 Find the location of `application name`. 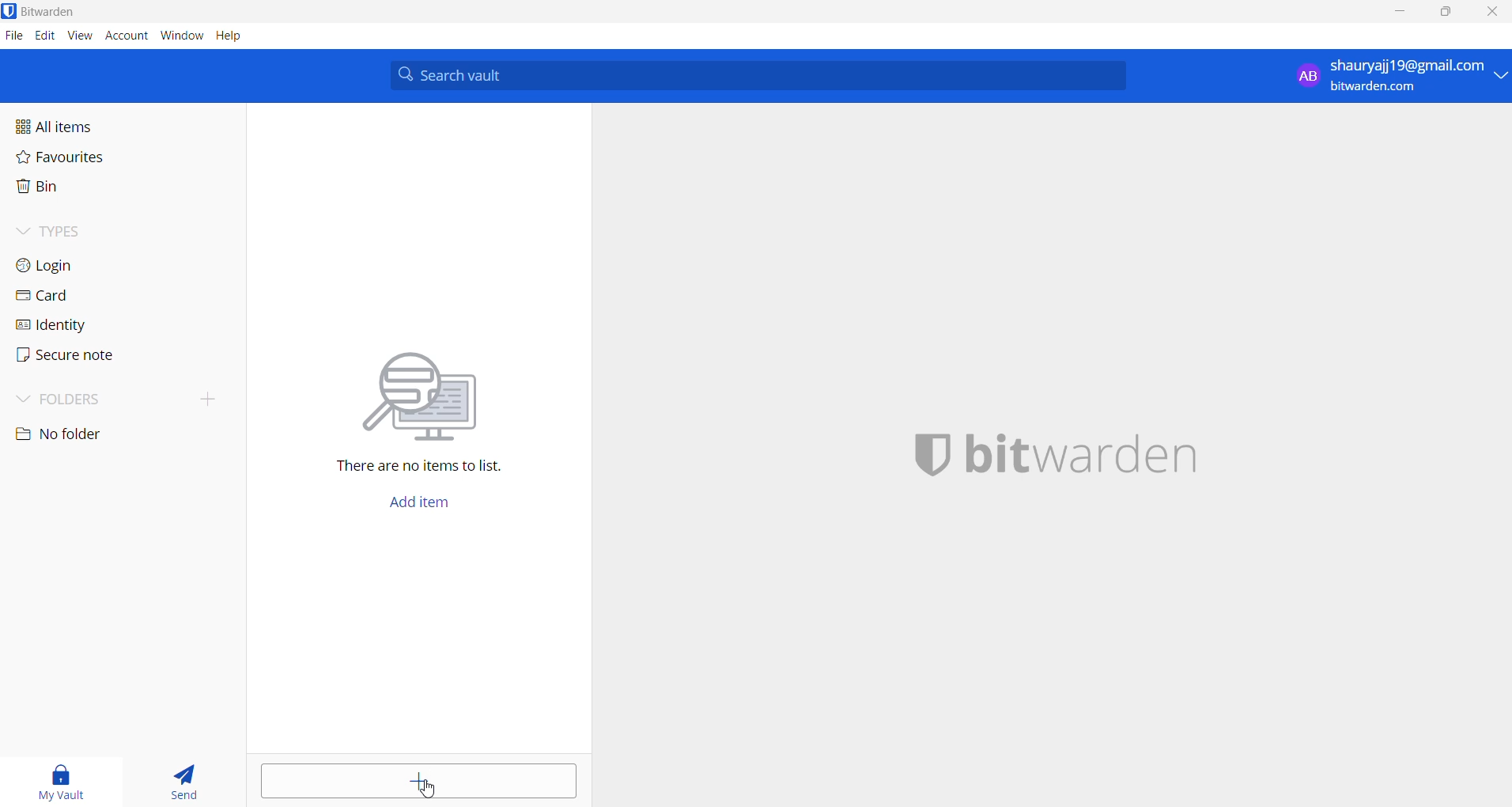

application name is located at coordinates (55, 12).